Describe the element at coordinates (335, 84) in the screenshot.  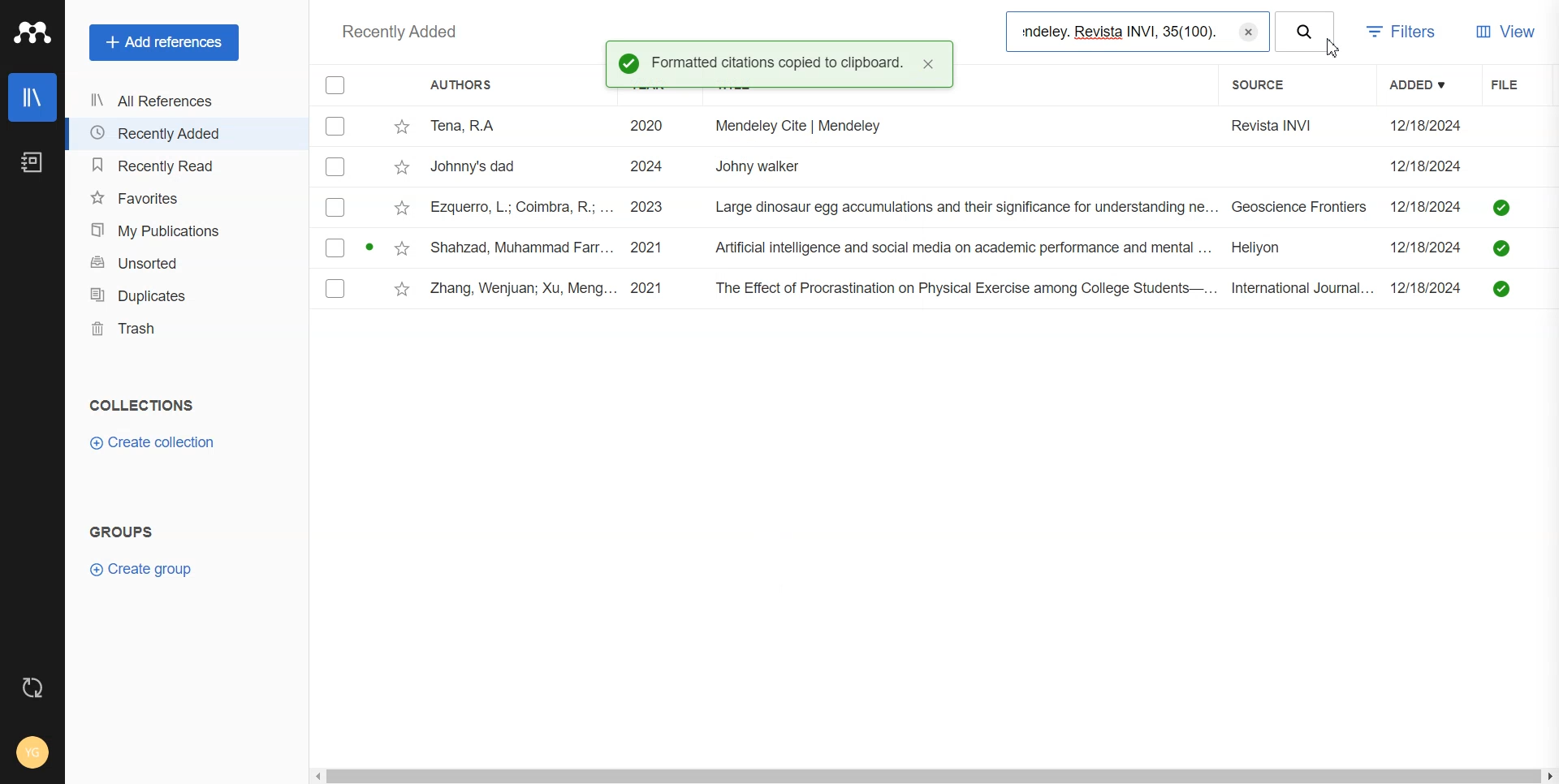
I see `Checkbox` at that location.